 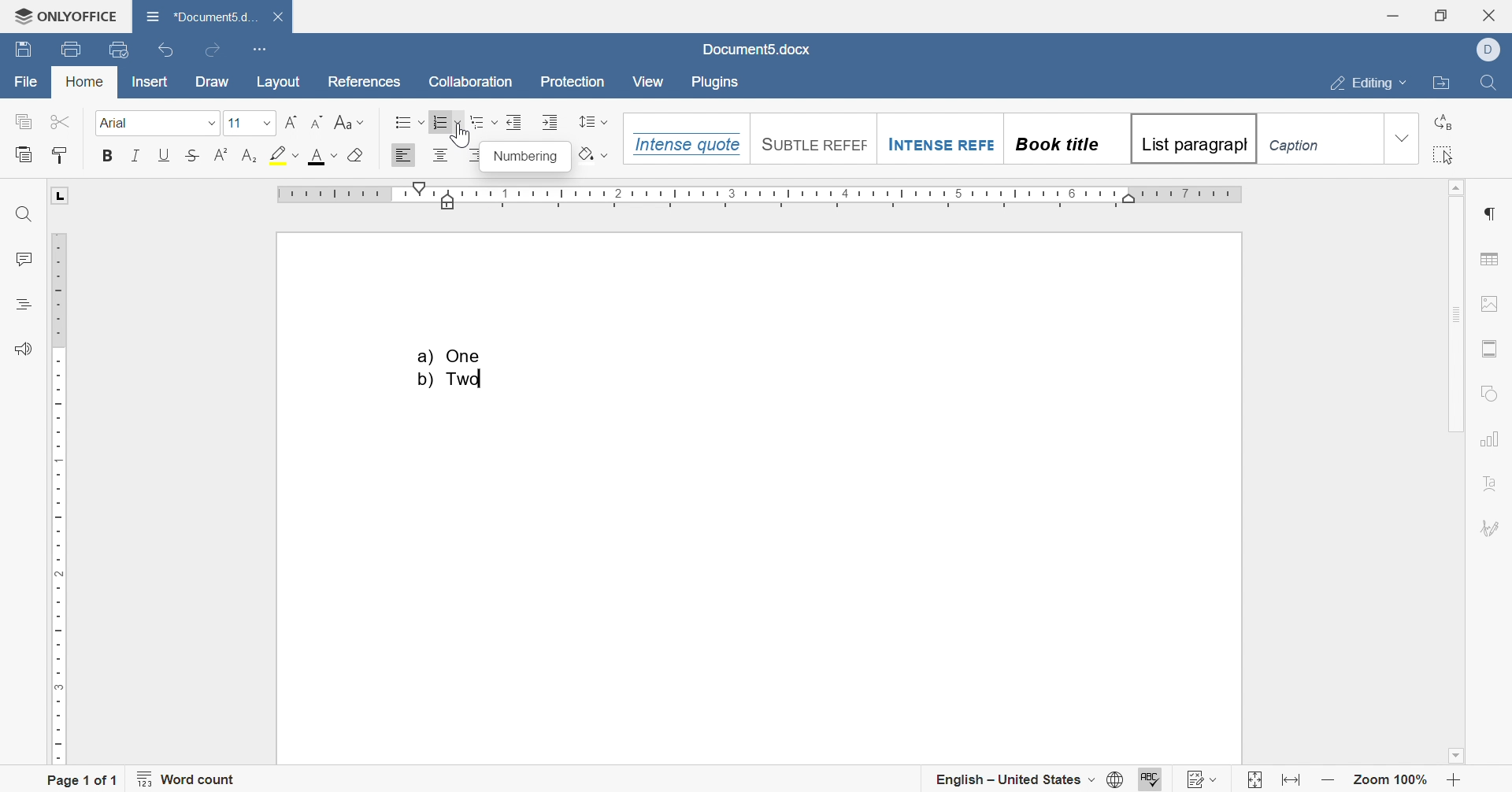 What do you see at coordinates (202, 15) in the screenshot?
I see `*document5.docx` at bounding box center [202, 15].